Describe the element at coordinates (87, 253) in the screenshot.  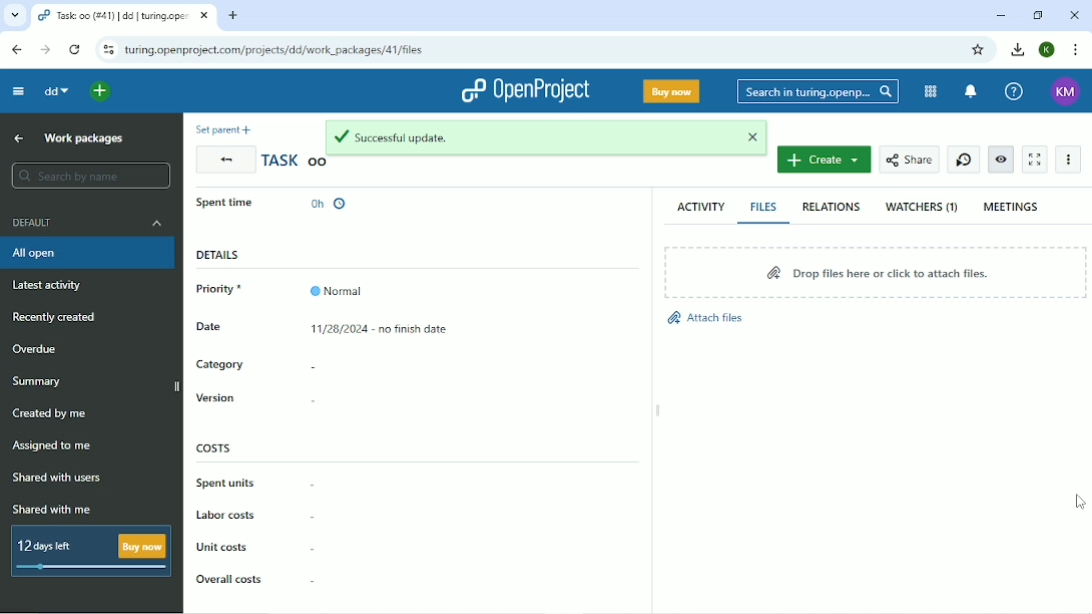
I see `All open` at that location.